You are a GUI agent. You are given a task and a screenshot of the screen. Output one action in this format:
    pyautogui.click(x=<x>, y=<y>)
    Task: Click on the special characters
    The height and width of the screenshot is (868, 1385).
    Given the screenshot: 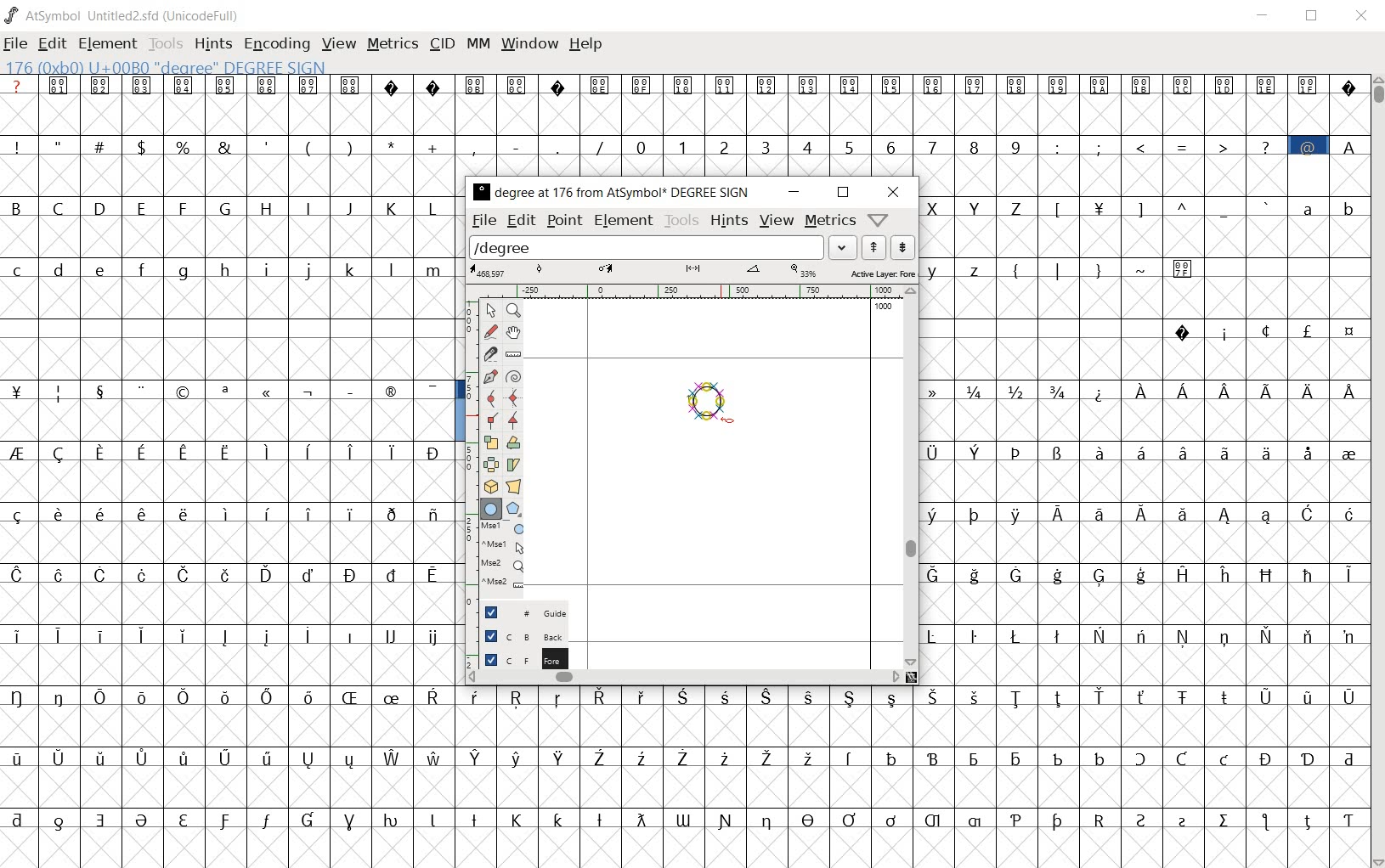 What is the action you would take?
    pyautogui.click(x=1162, y=146)
    